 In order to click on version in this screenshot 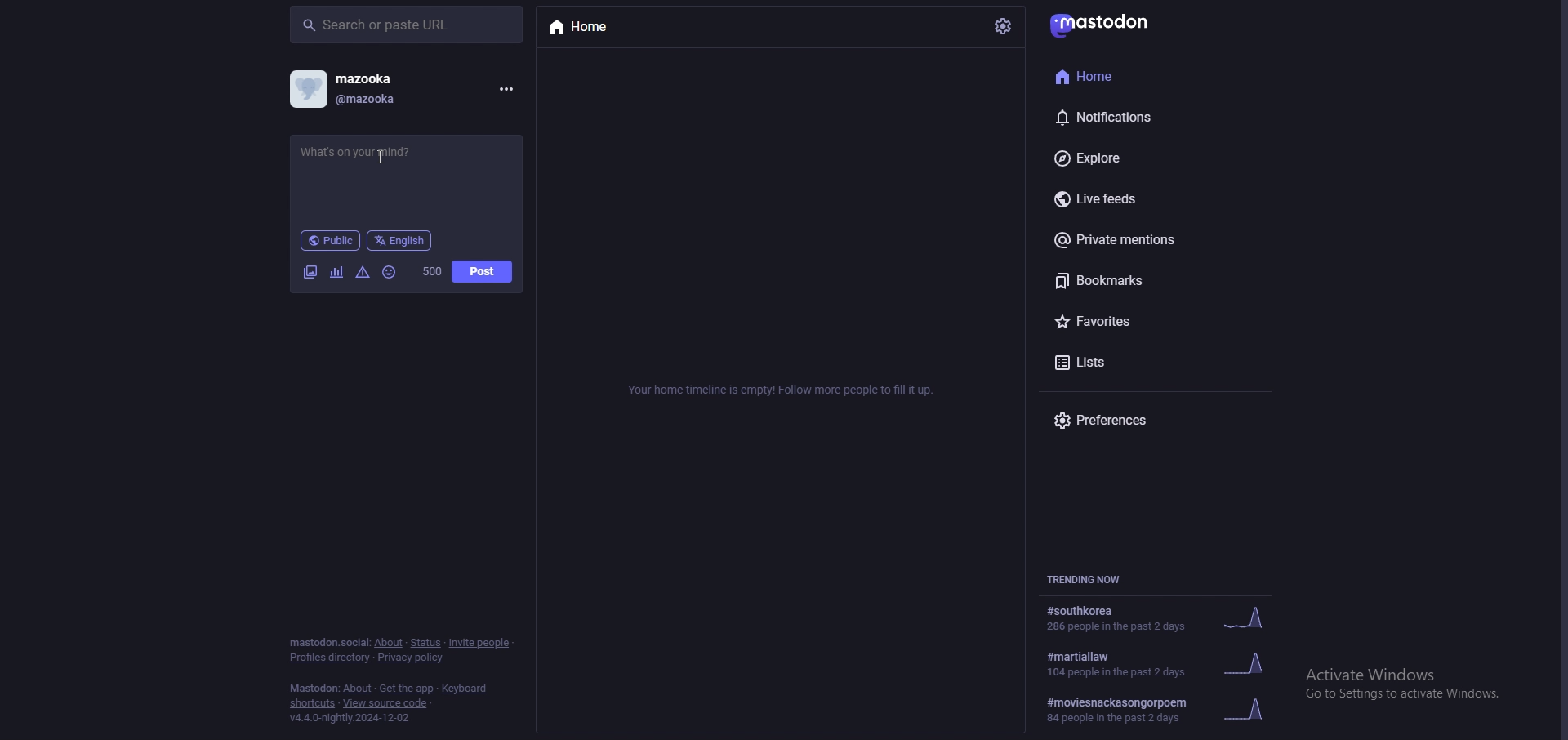, I will do `click(350, 718)`.